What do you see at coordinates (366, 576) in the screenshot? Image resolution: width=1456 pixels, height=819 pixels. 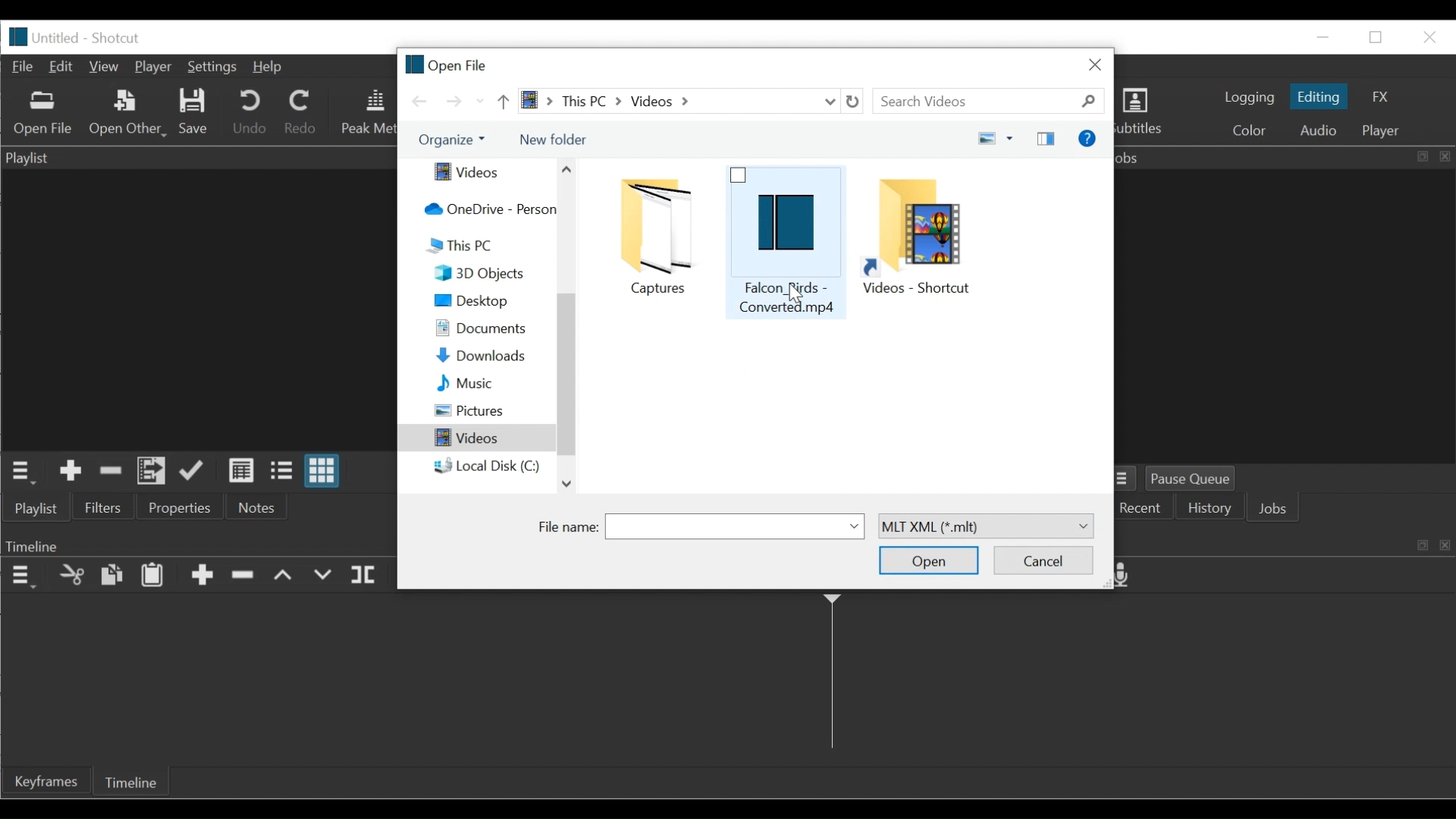 I see `Split at playhead` at bounding box center [366, 576].